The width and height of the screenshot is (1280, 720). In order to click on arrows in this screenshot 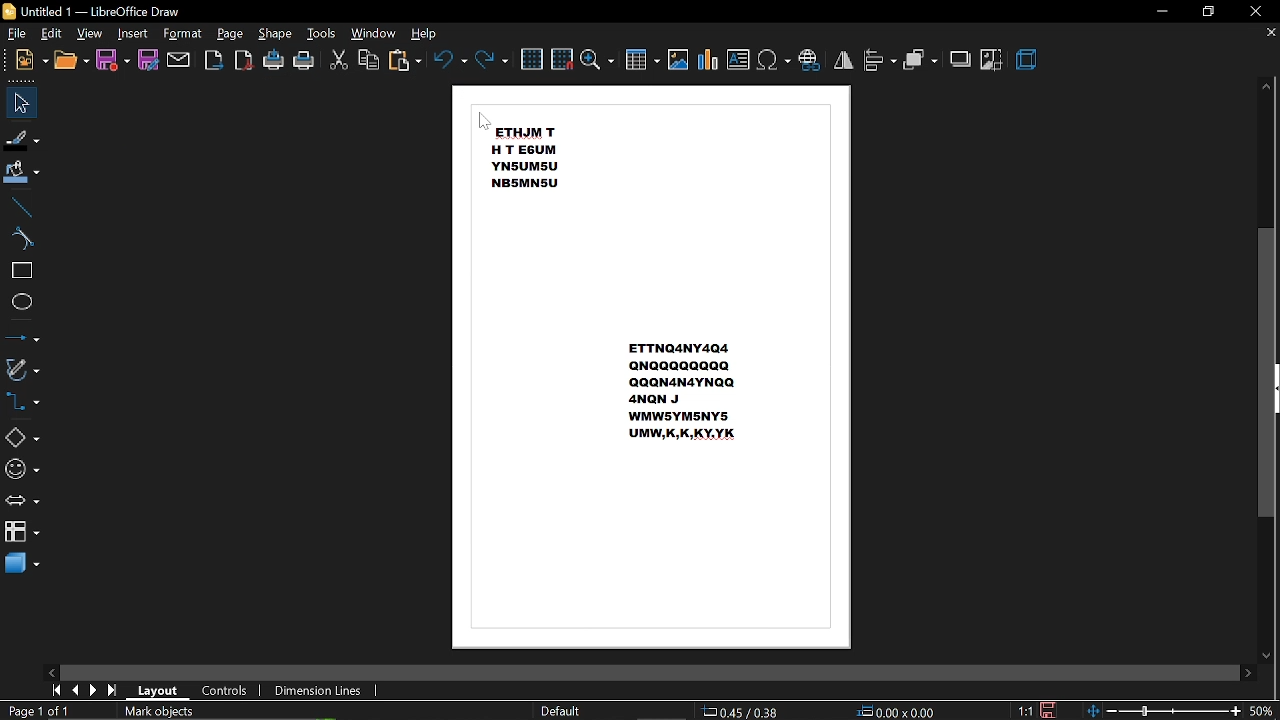, I will do `click(22, 502)`.